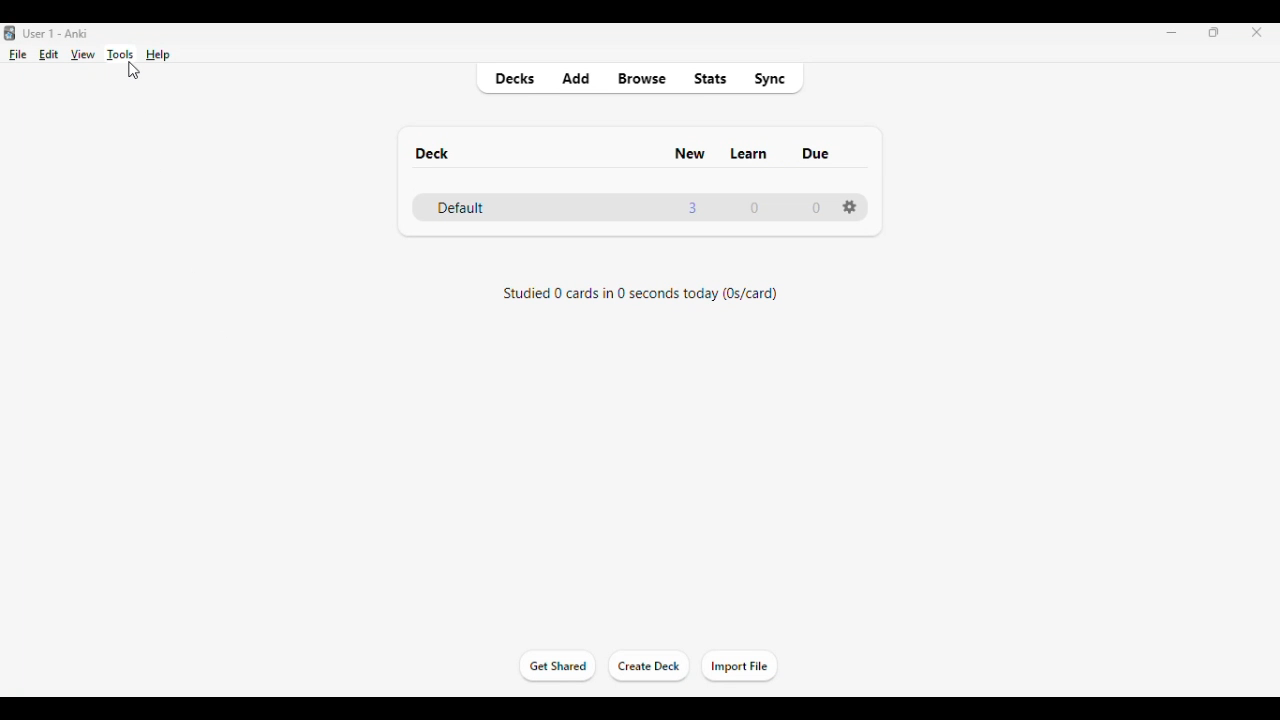 This screenshot has height=720, width=1280. Describe the element at coordinates (1172, 33) in the screenshot. I see `minimize` at that location.